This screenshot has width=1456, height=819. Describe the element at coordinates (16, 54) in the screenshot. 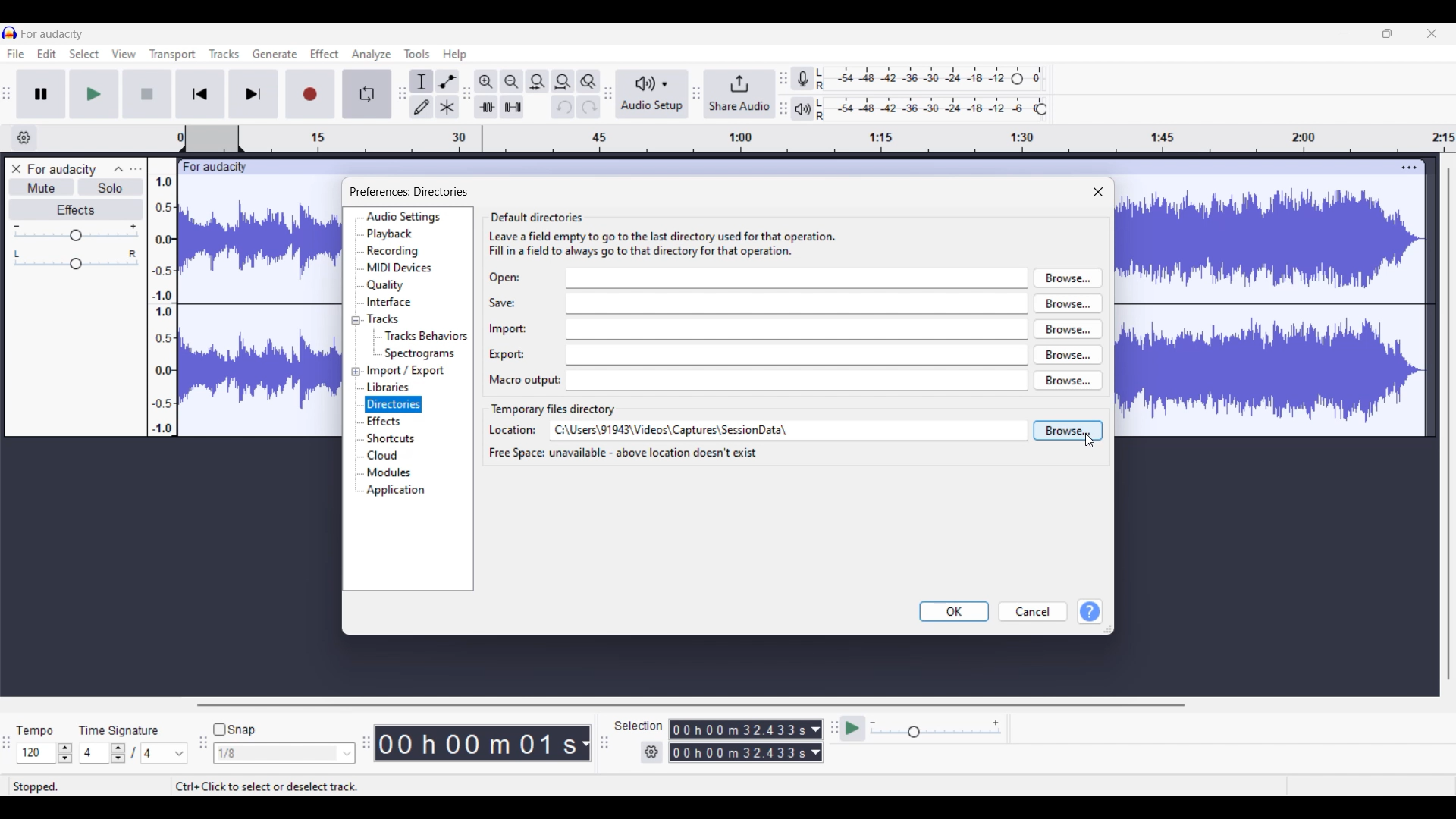

I see `File menu` at that location.